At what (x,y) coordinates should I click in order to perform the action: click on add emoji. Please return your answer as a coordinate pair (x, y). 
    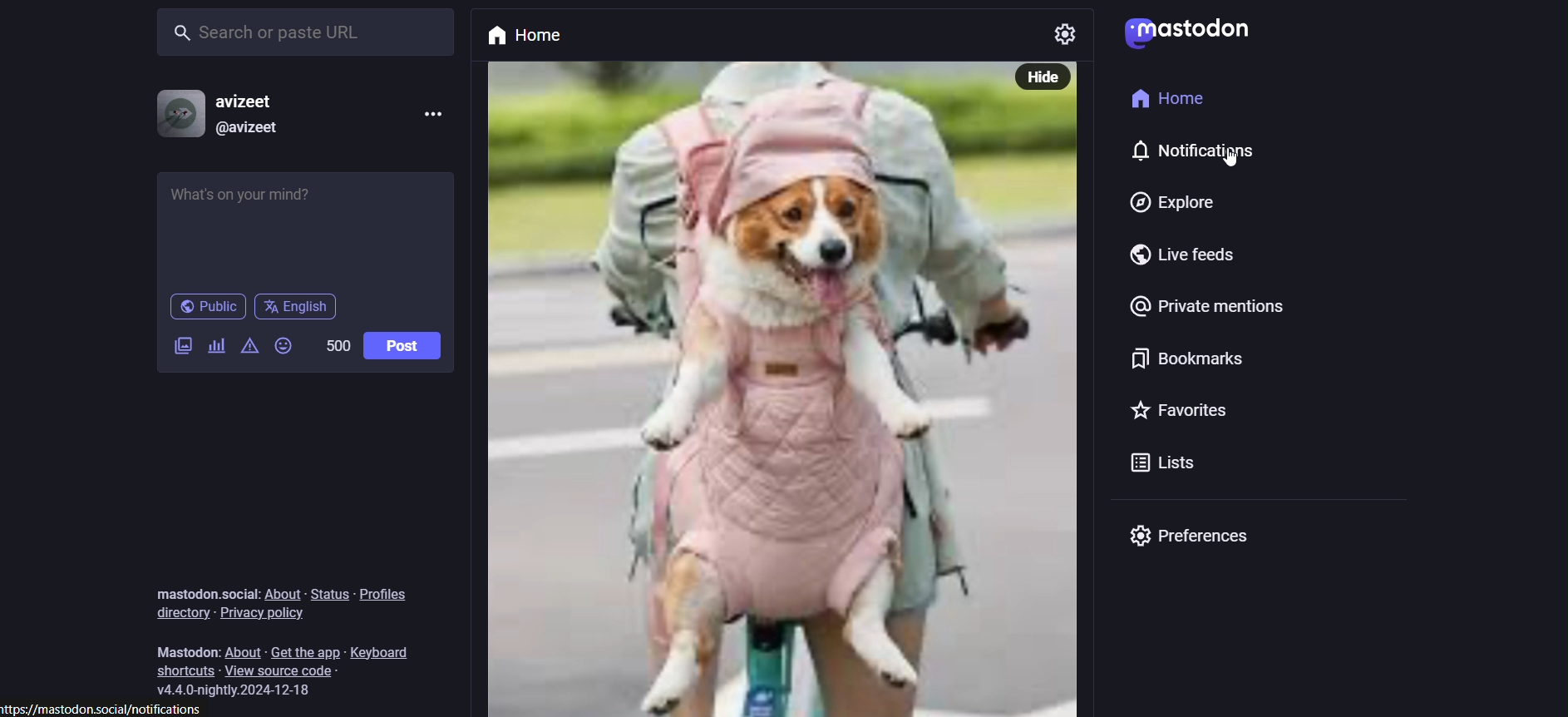
    Looking at the image, I should click on (285, 344).